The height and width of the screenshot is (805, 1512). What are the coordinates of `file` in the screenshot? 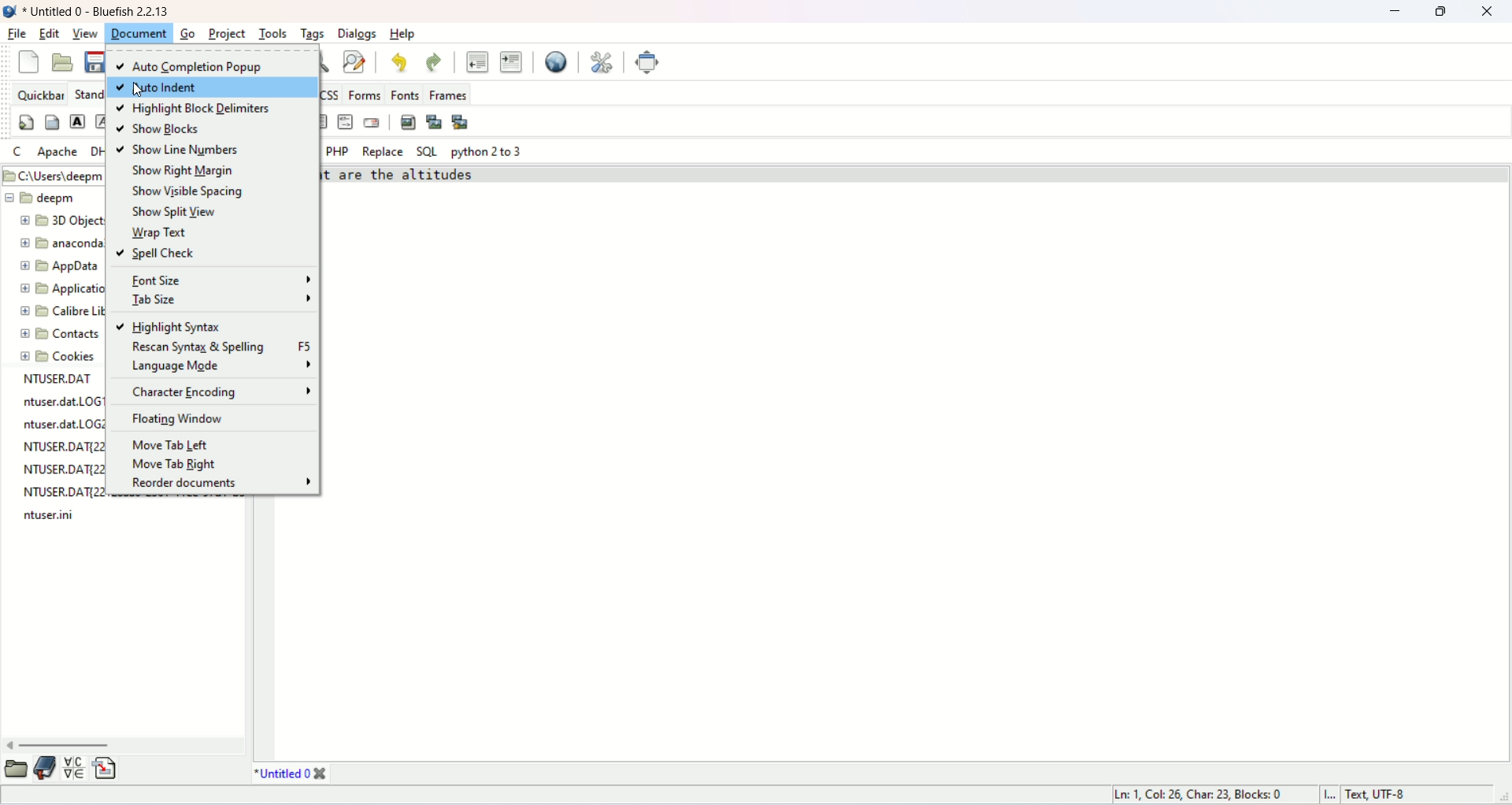 It's located at (16, 35).